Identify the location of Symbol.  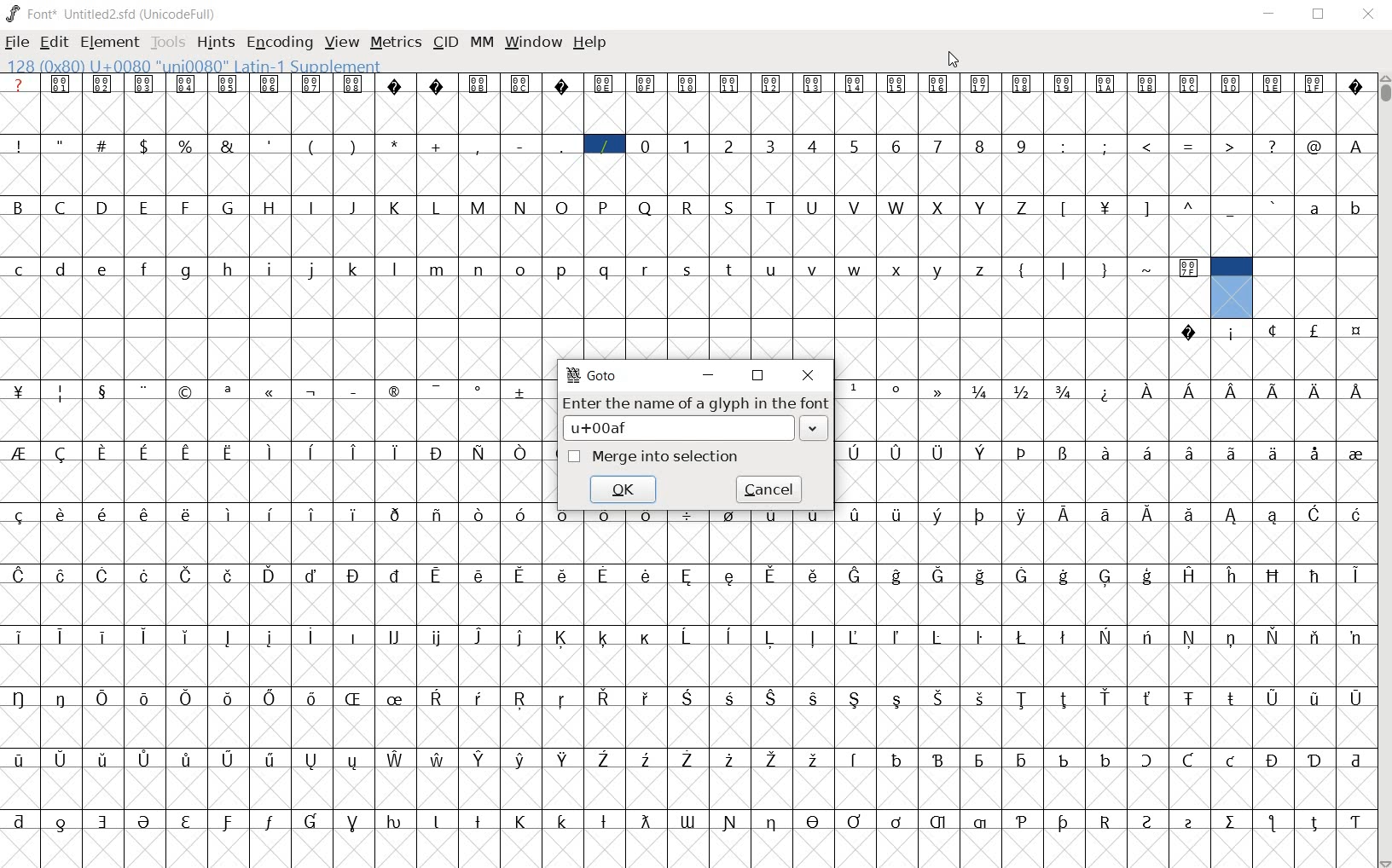
(1066, 698).